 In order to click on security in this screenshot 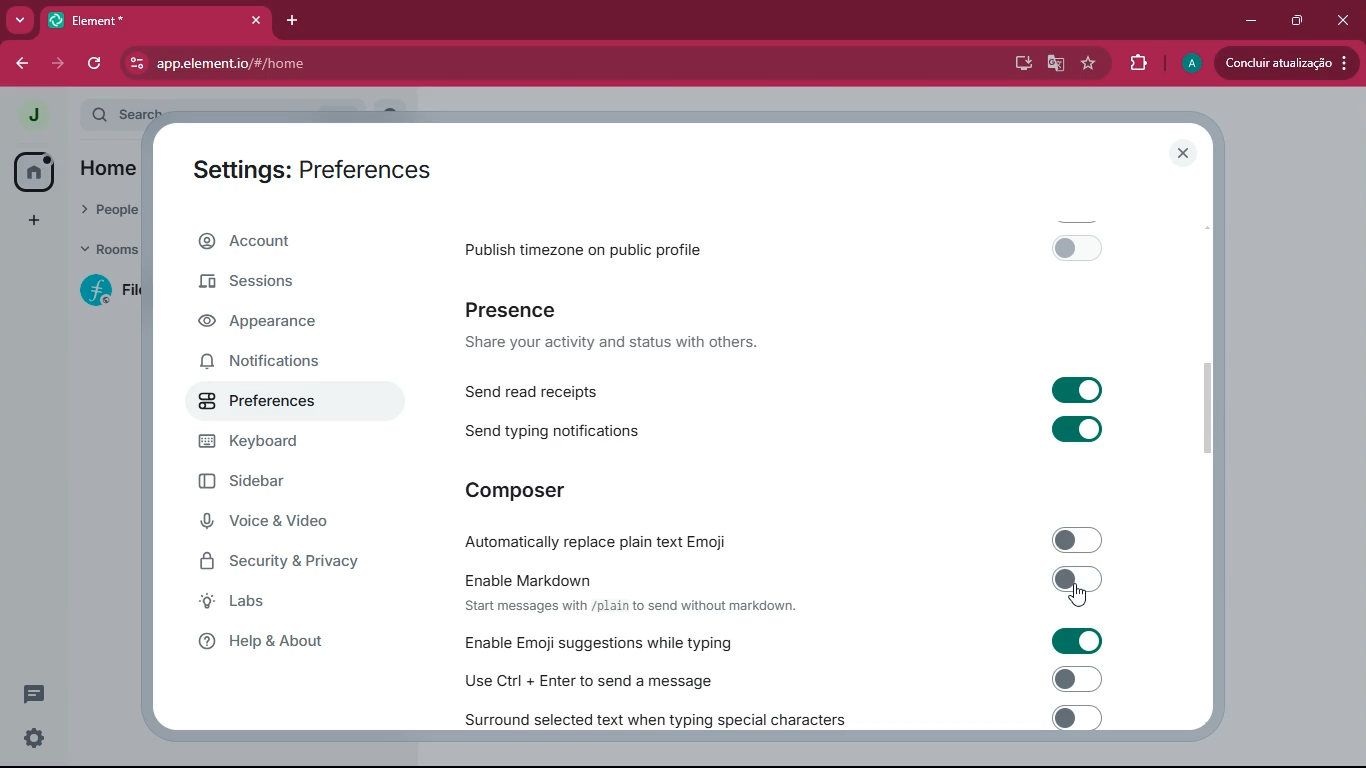, I will do `click(292, 563)`.